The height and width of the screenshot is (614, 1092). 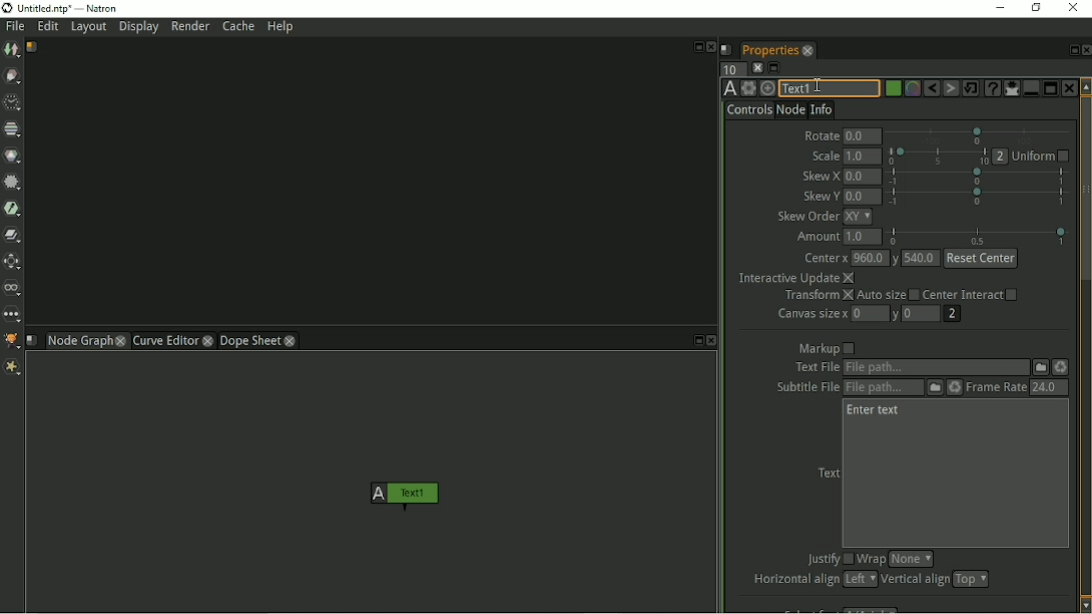 I want to click on 0.0, so click(x=863, y=137).